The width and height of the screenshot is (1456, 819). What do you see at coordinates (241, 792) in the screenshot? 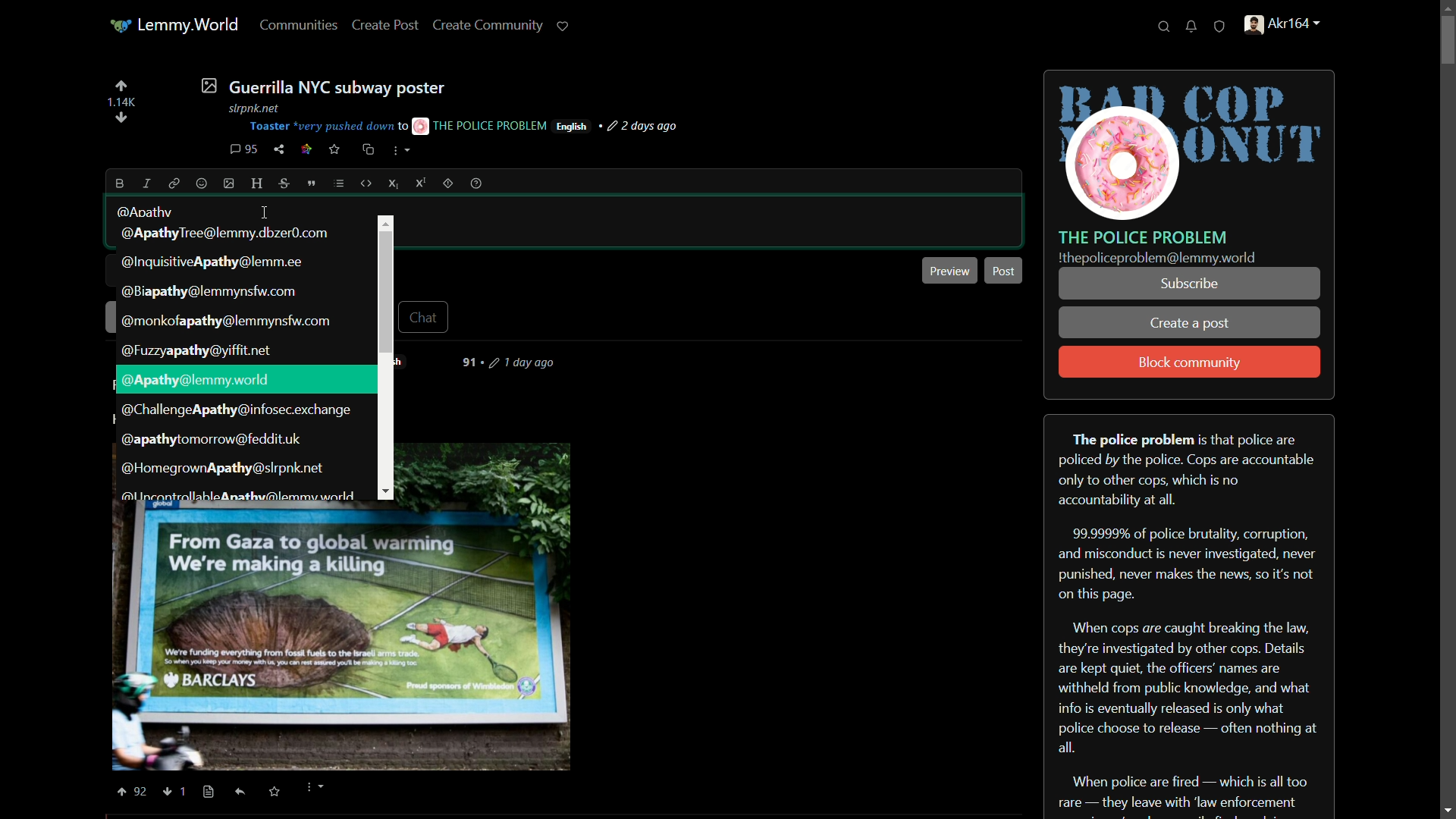
I see `` at bounding box center [241, 792].